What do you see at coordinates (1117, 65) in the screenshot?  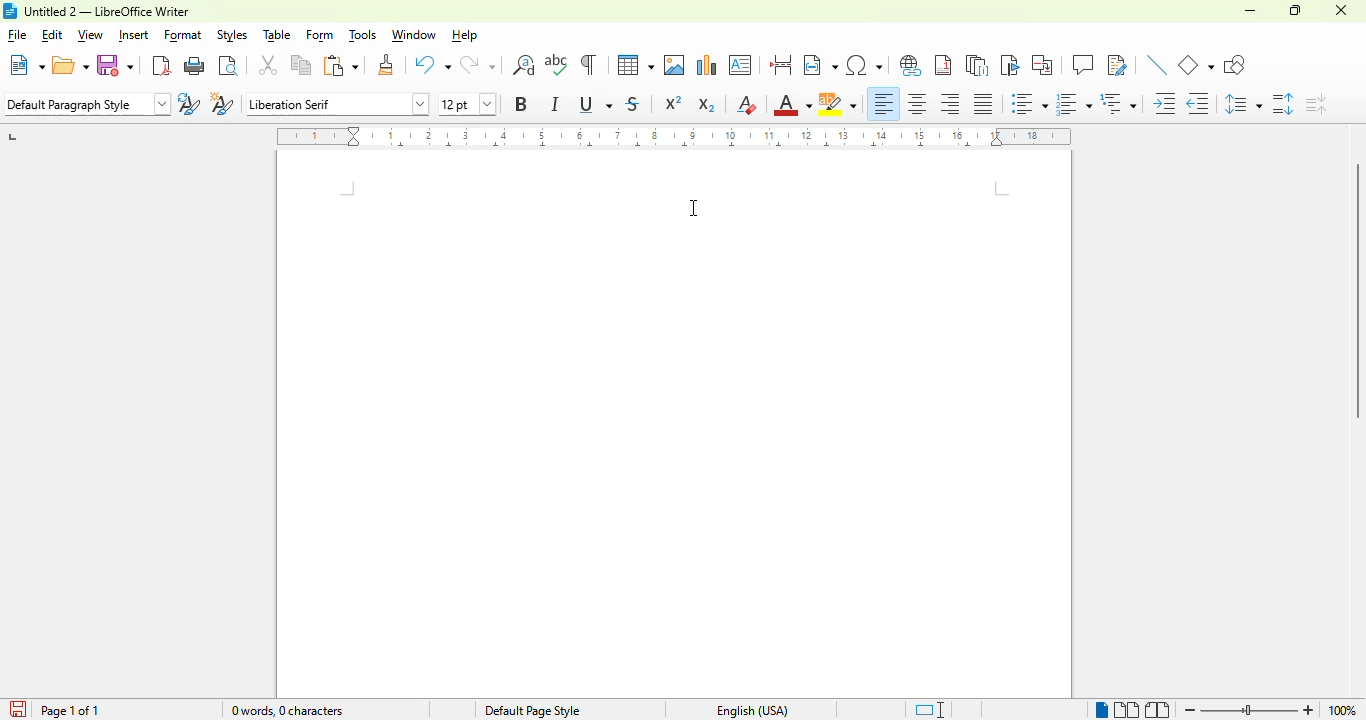 I see `show track changes functions` at bounding box center [1117, 65].